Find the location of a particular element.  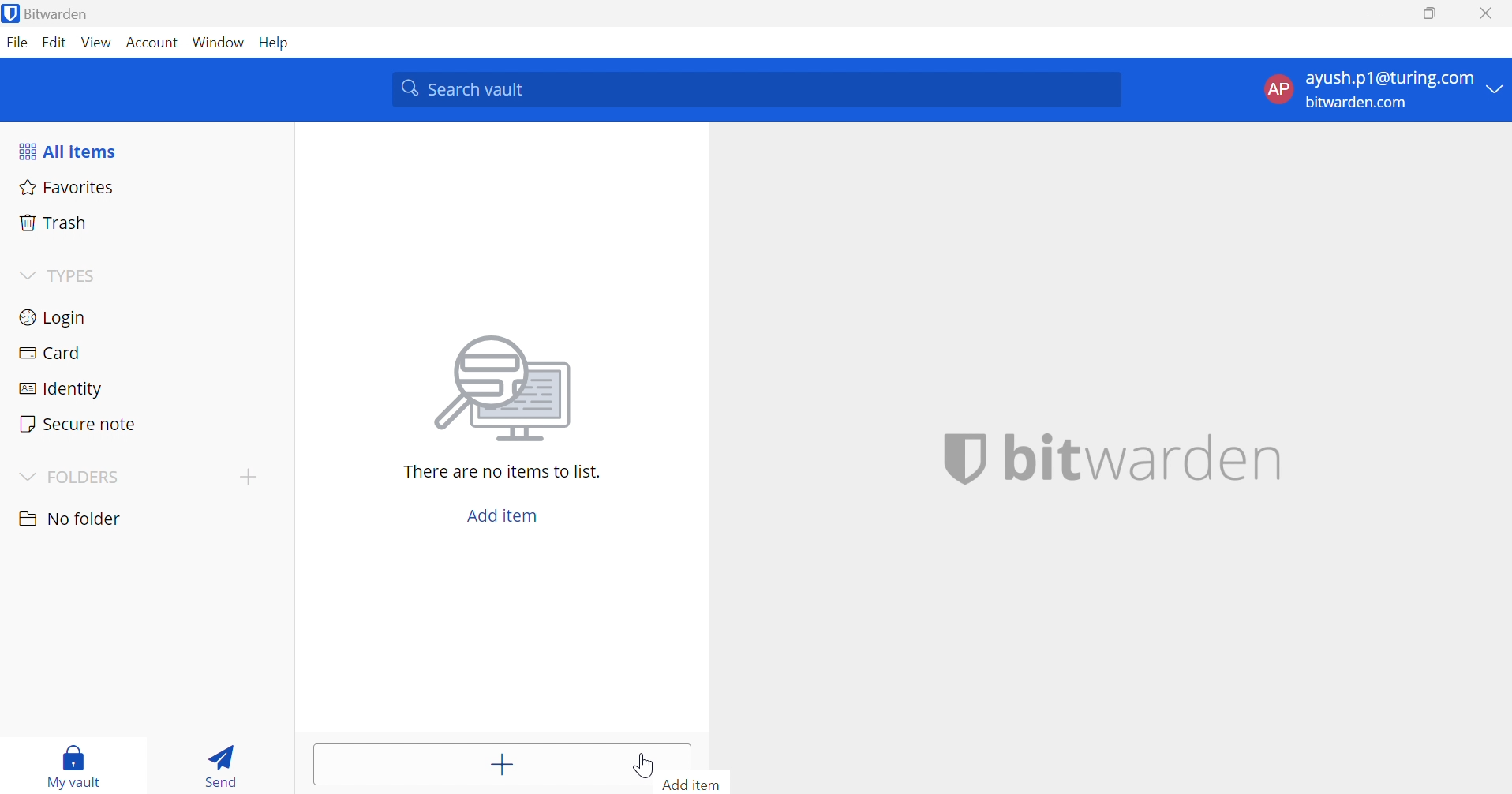

bitwarden is located at coordinates (1117, 458).